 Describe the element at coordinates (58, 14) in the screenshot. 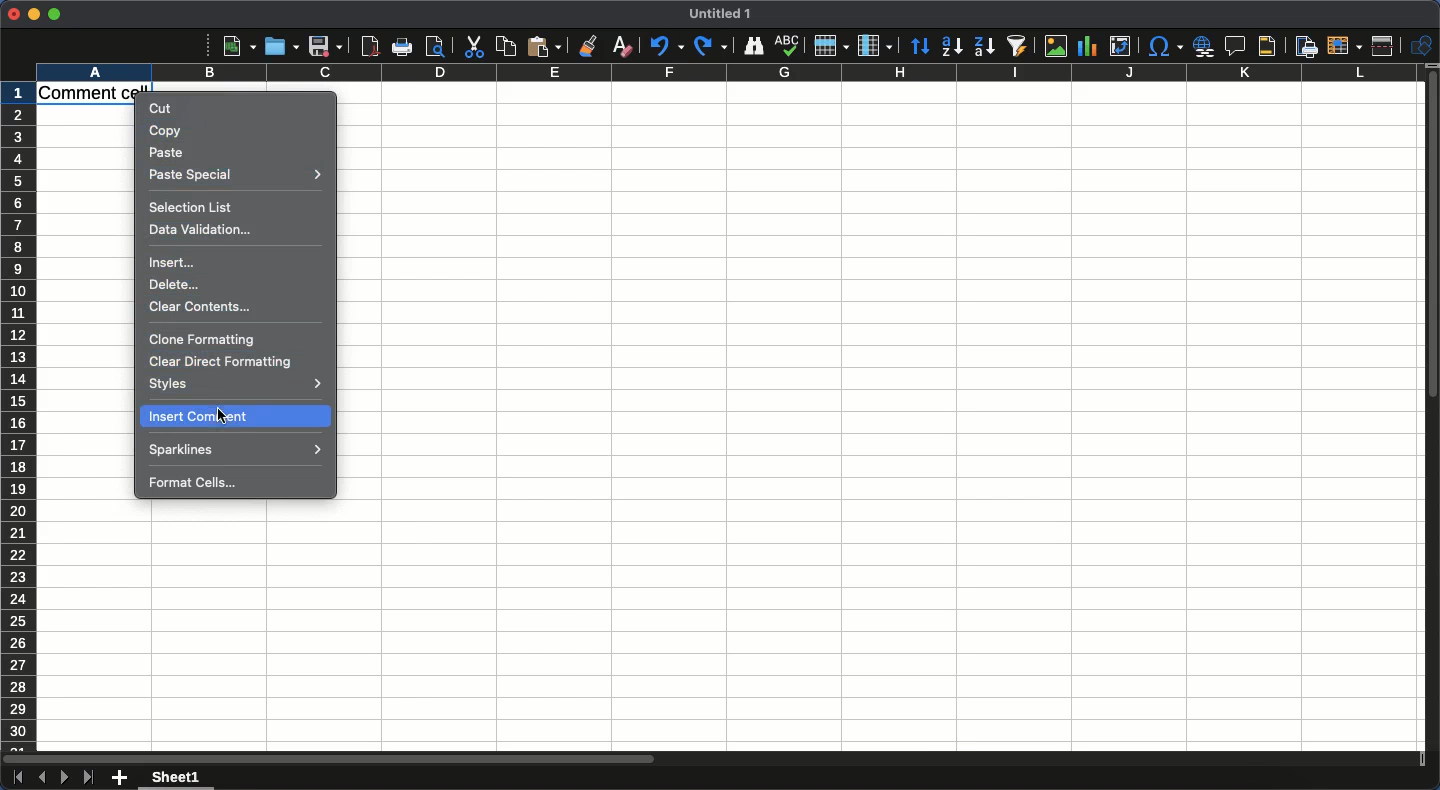

I see `Maximize` at that location.